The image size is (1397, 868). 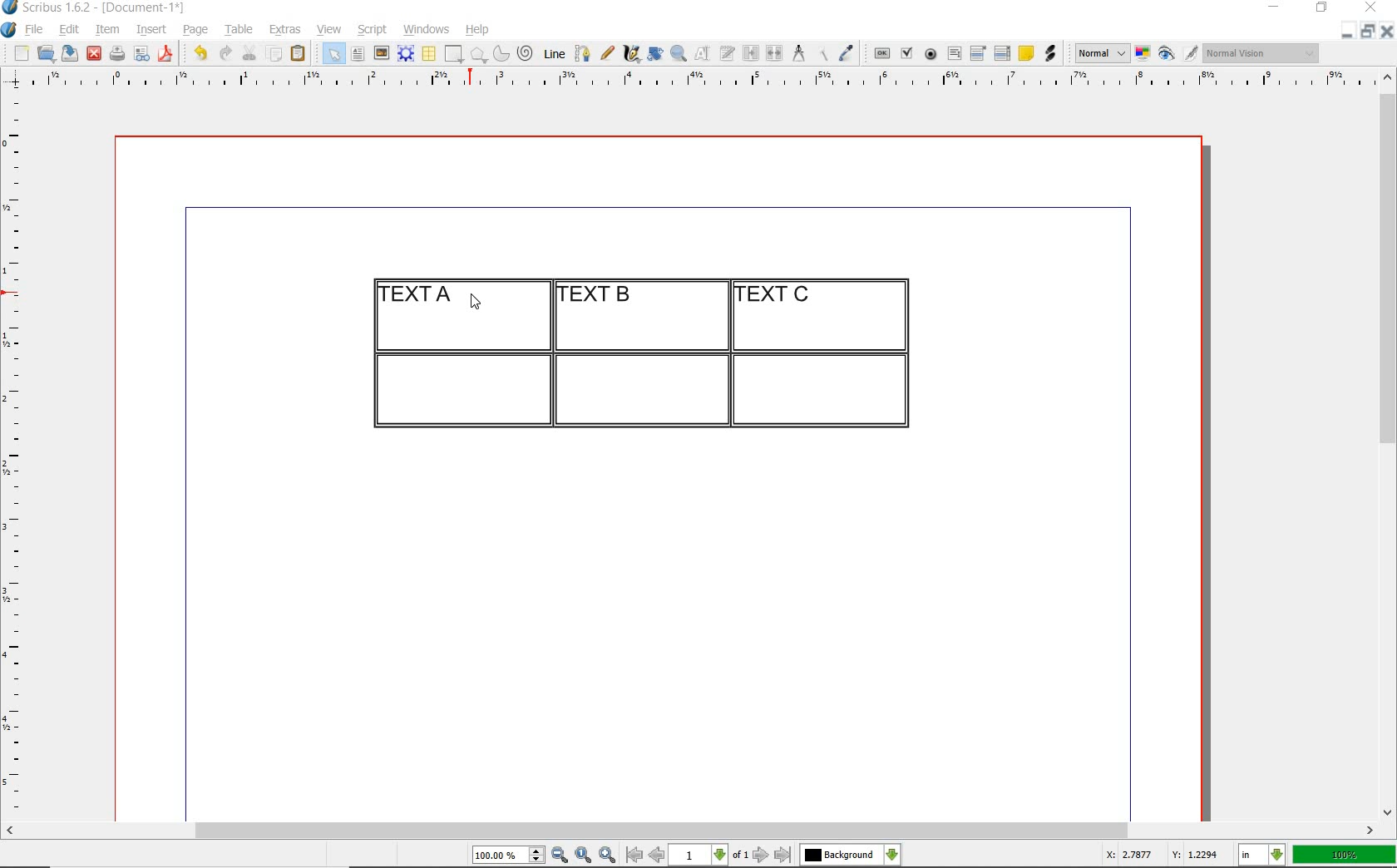 What do you see at coordinates (640, 345) in the screenshot?
I see `table frame` at bounding box center [640, 345].